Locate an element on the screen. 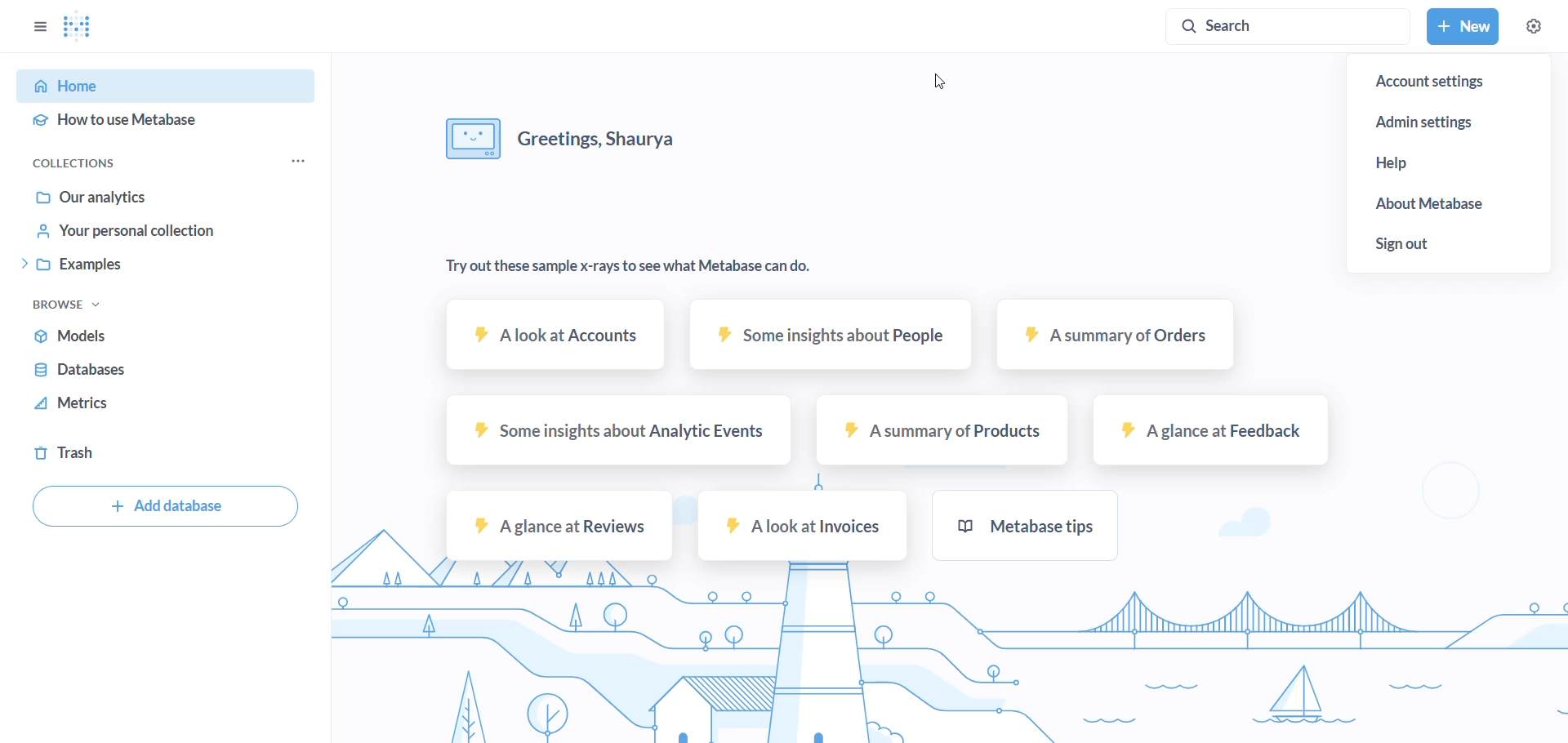  greeting text is located at coordinates (612, 140).